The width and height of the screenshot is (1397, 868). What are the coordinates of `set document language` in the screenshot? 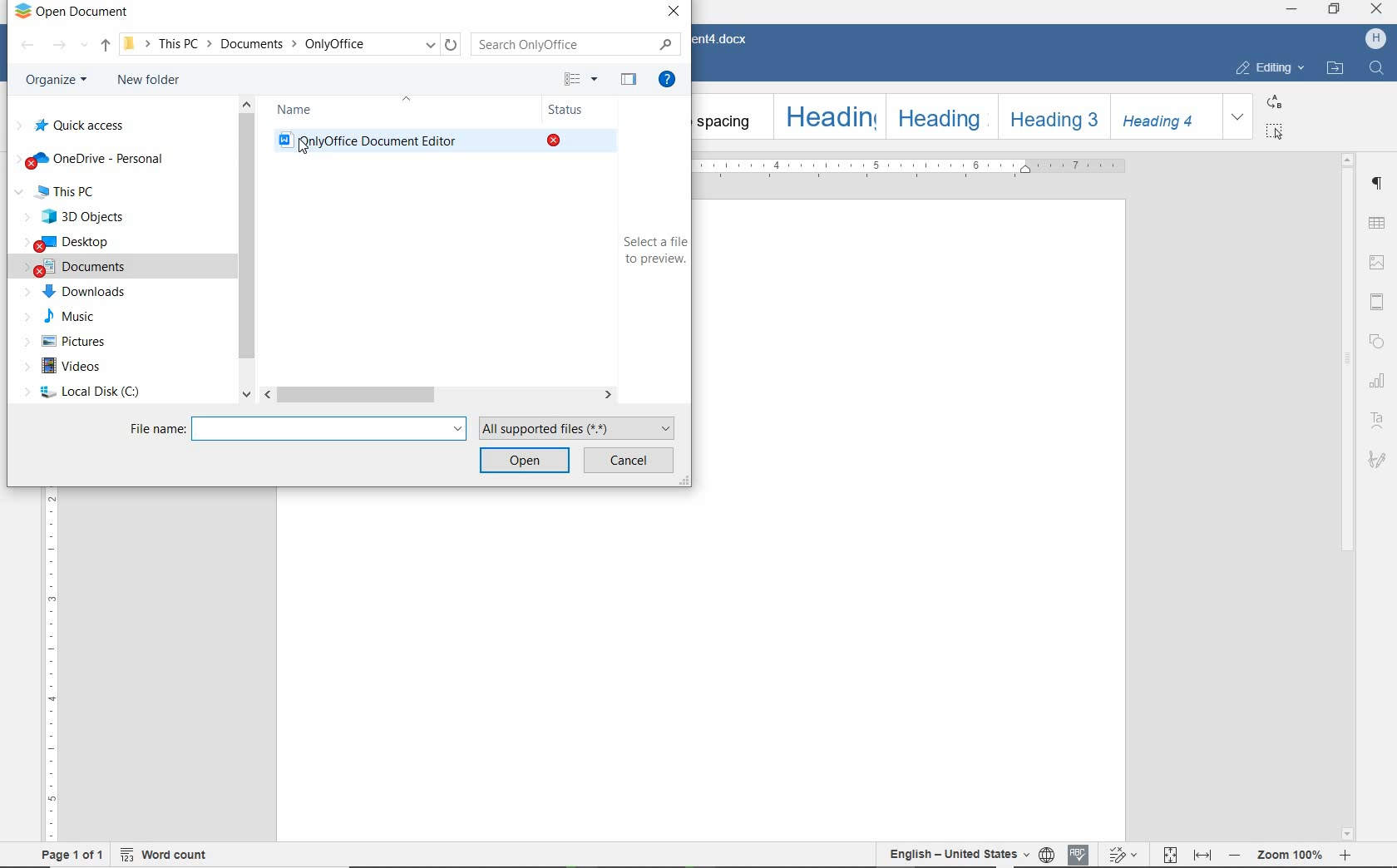 It's located at (1047, 856).